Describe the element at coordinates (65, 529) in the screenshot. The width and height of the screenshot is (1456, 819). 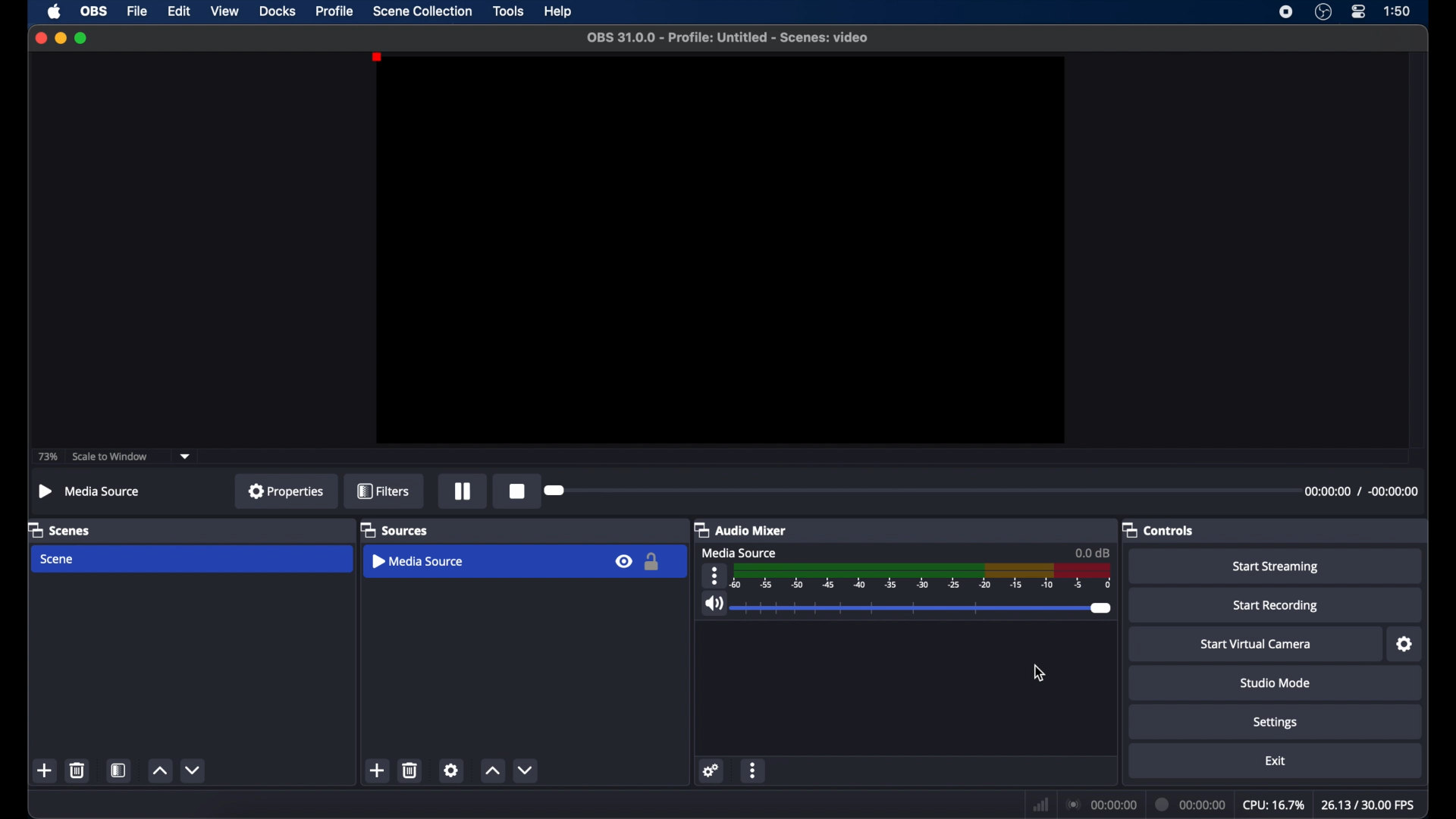
I see `Scenes` at that location.